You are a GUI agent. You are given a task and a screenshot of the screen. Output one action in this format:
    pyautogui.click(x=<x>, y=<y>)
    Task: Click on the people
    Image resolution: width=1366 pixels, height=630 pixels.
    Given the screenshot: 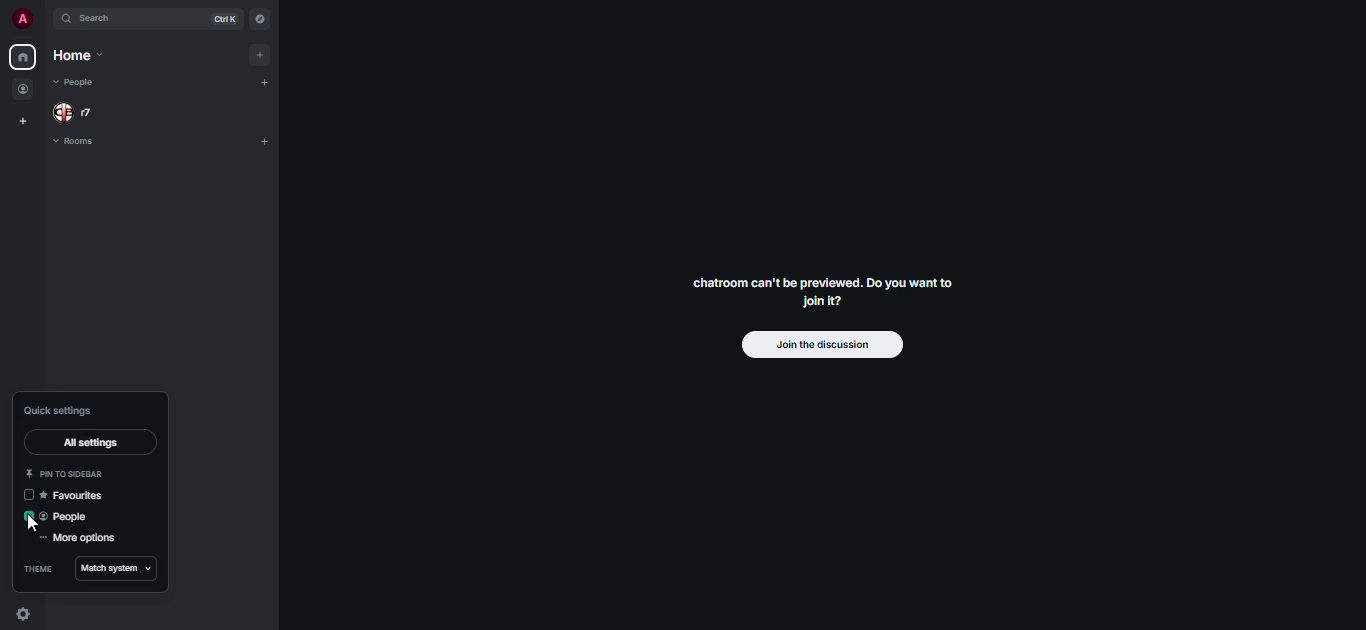 What is the action you would take?
    pyautogui.click(x=71, y=518)
    